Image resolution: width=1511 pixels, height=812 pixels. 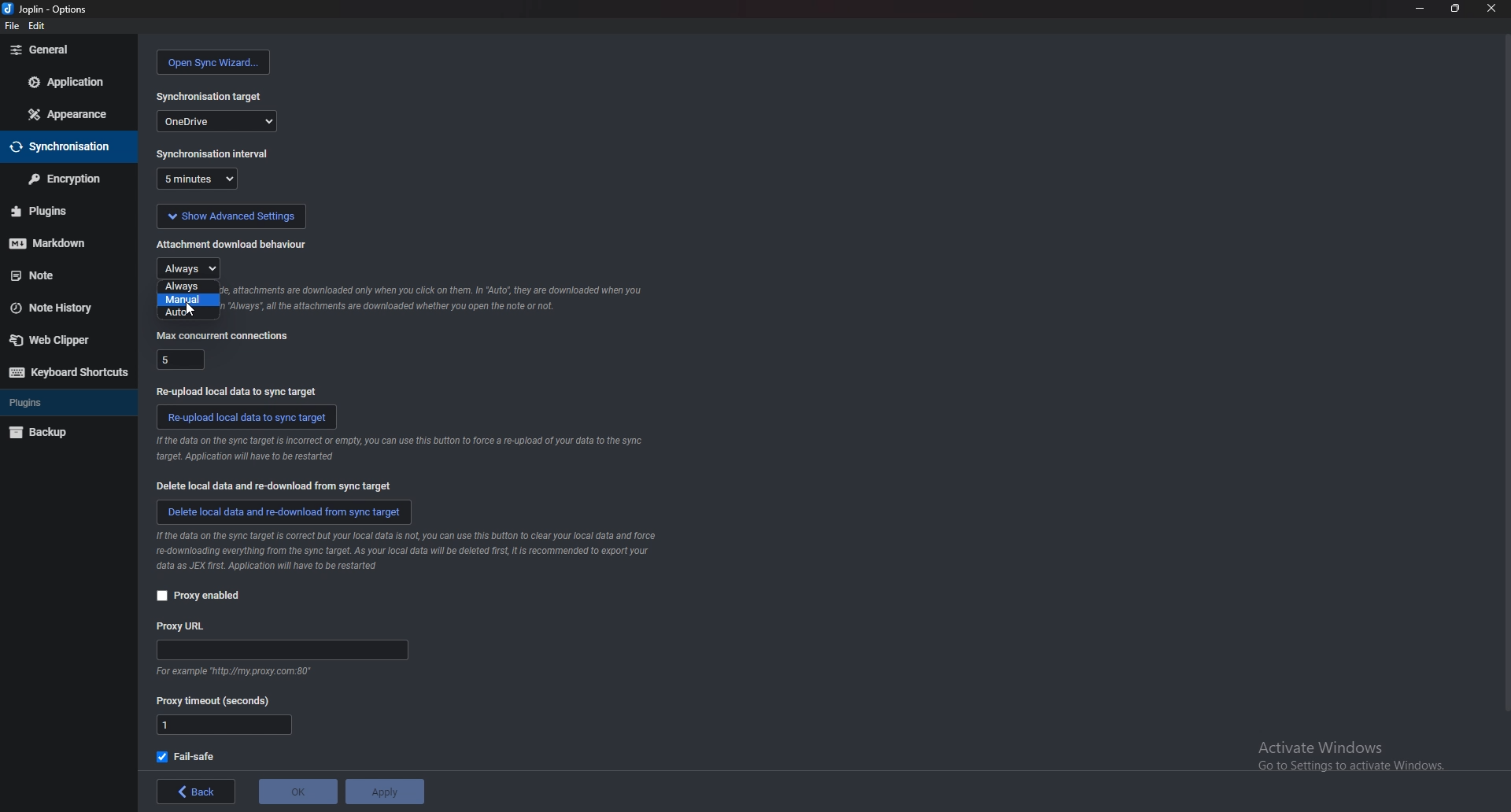 What do you see at coordinates (1490, 8) in the screenshot?
I see `close` at bounding box center [1490, 8].